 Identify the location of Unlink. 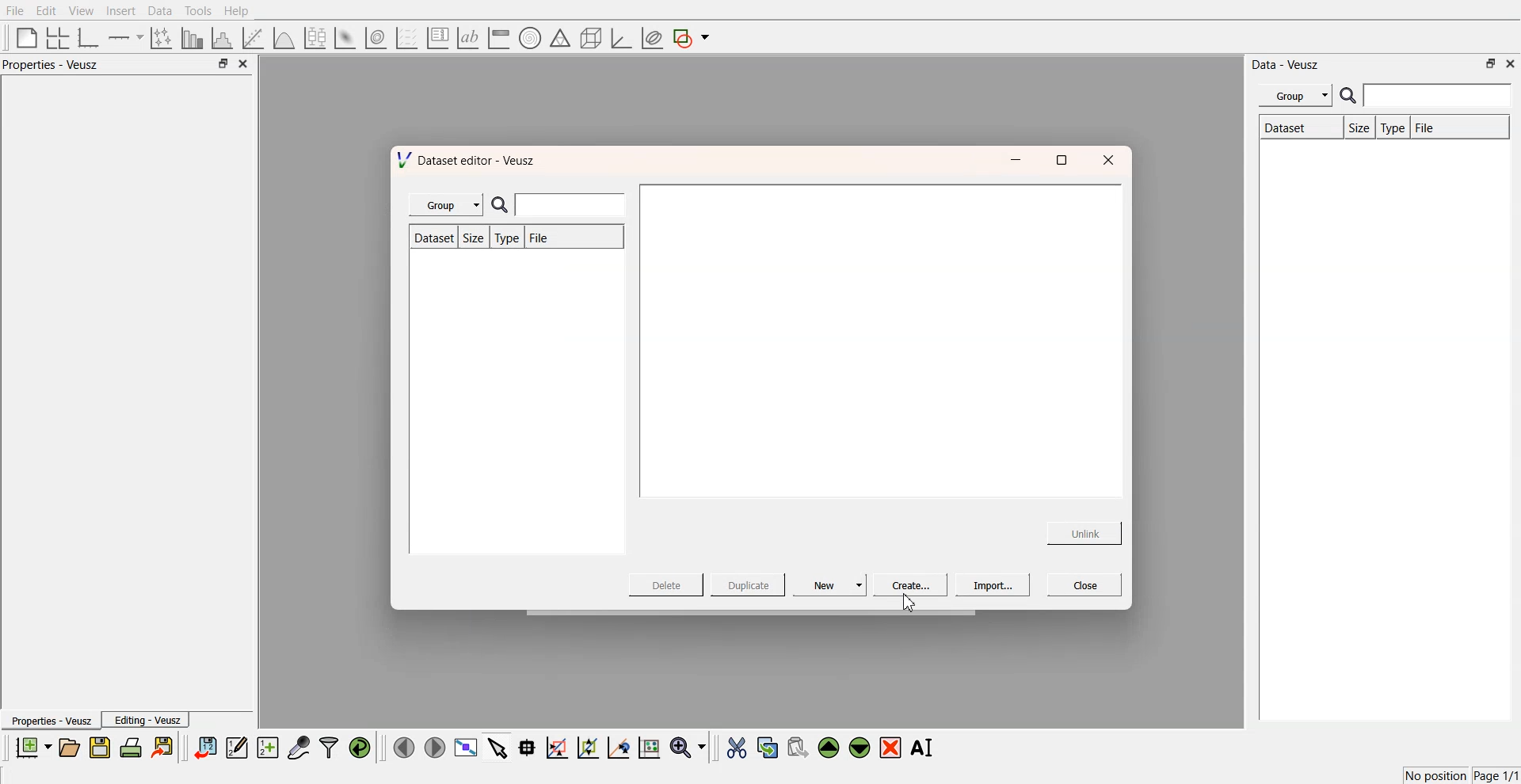
(1085, 531).